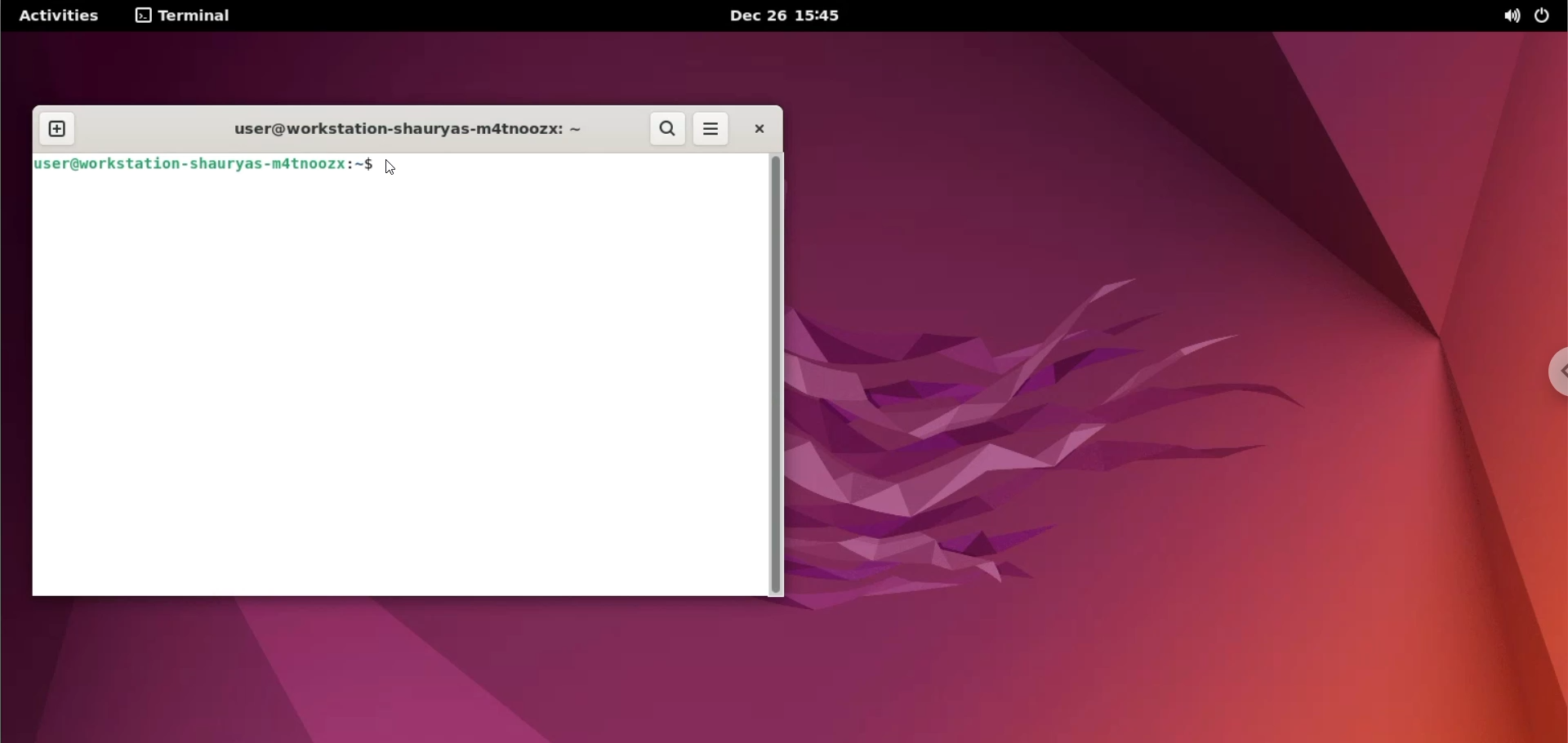  I want to click on cursor, so click(394, 168).